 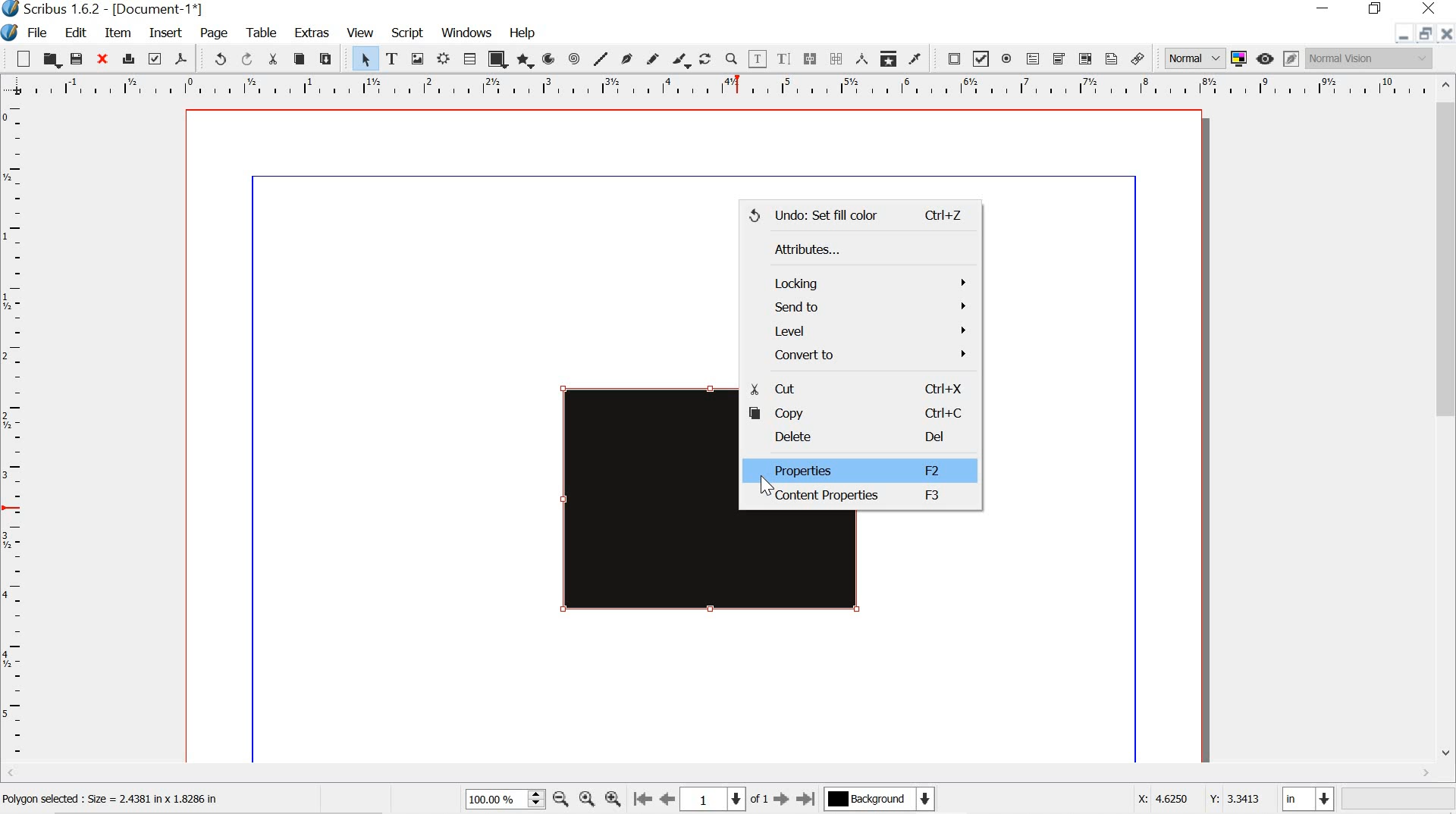 What do you see at coordinates (12, 33) in the screenshot?
I see `scribus logo` at bounding box center [12, 33].